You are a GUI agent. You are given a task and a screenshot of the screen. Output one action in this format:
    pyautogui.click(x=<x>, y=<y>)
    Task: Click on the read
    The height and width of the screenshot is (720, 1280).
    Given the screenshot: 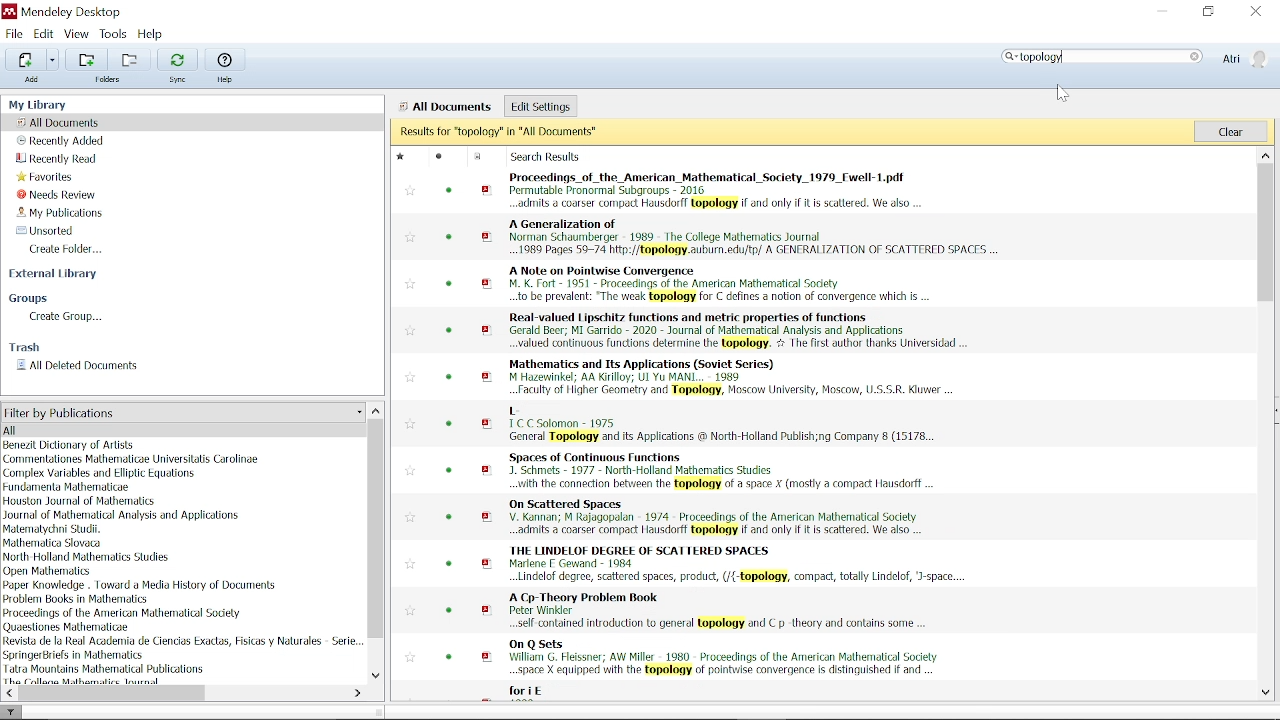 What is the action you would take?
    pyautogui.click(x=450, y=564)
    